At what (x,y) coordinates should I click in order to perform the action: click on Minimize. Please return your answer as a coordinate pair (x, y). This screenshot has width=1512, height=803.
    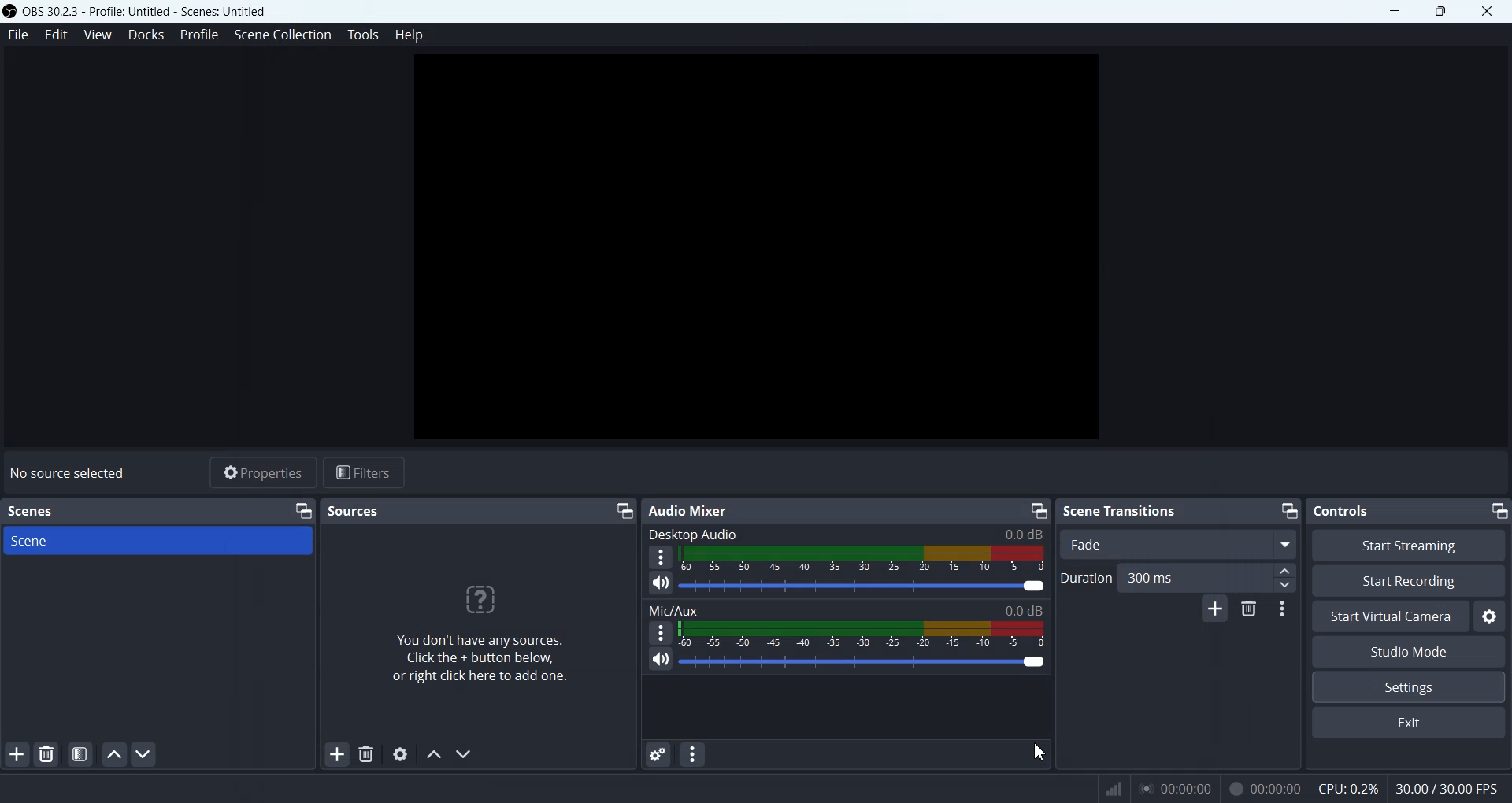
    Looking at the image, I should click on (1288, 511).